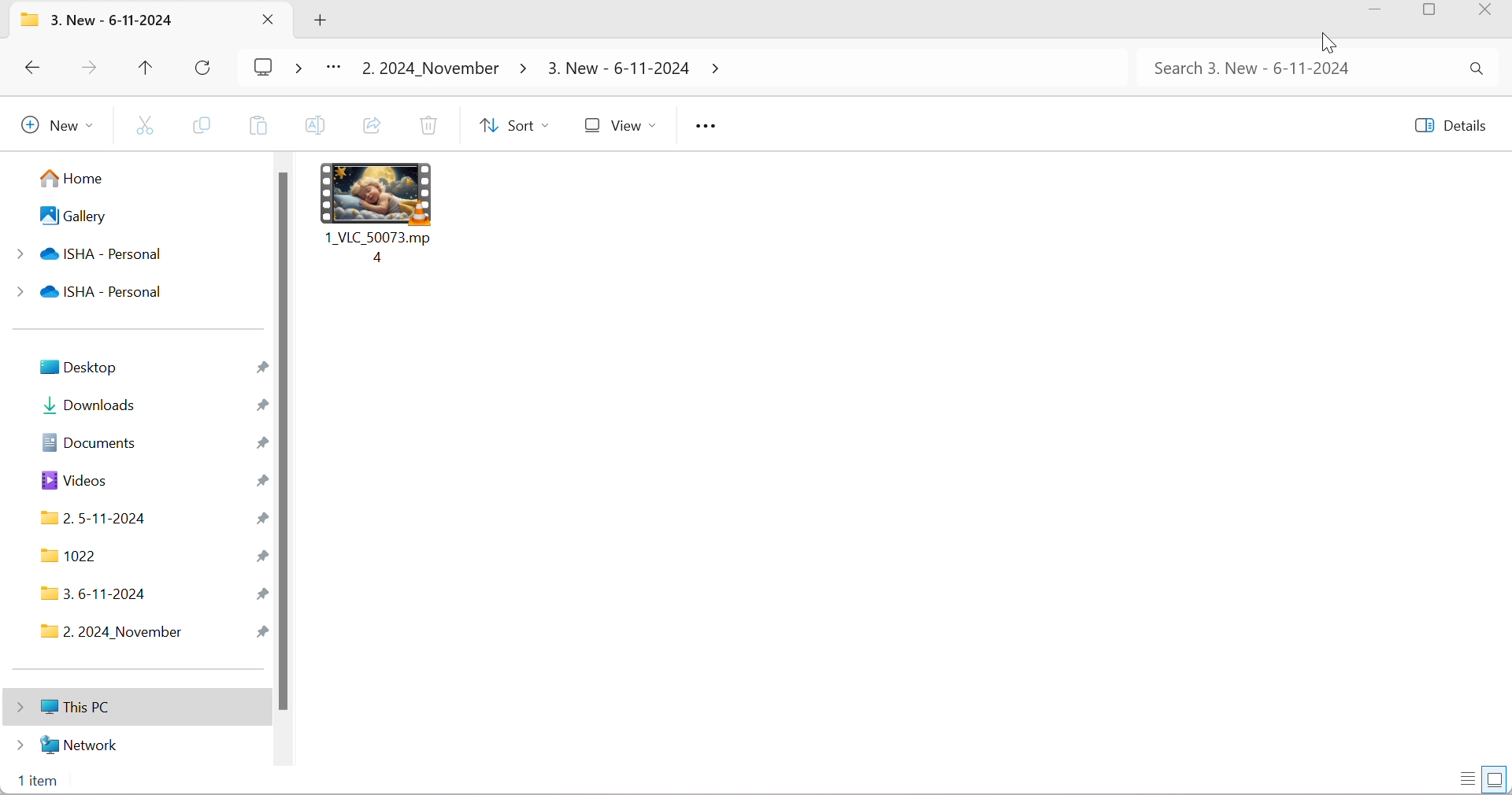  I want to click on Displays information about each item in the window, so click(1468, 779).